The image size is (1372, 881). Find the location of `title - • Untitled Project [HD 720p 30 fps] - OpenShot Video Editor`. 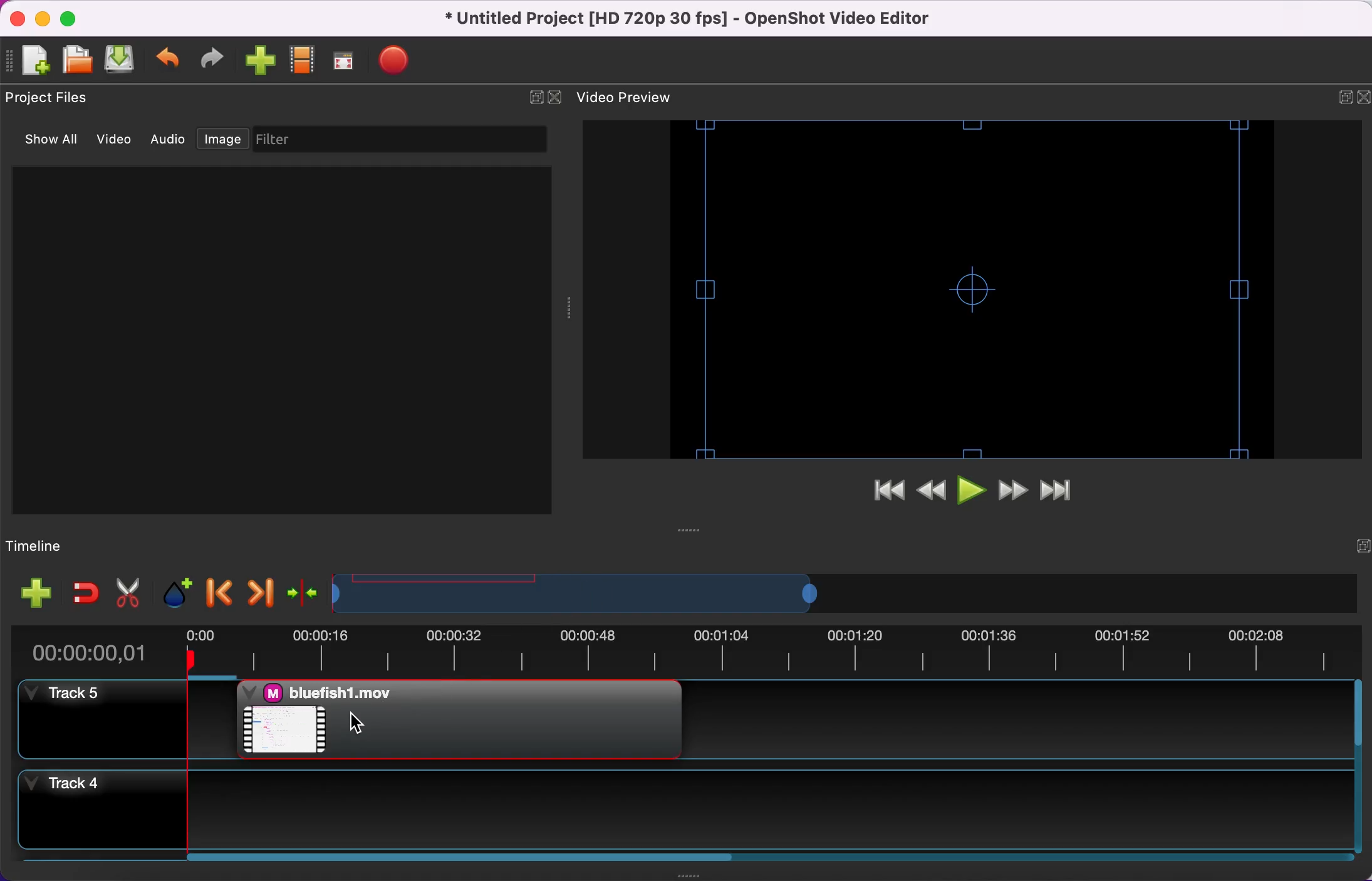

title - • Untitled Project [HD 720p 30 fps] - OpenShot Video Editor is located at coordinates (725, 20).